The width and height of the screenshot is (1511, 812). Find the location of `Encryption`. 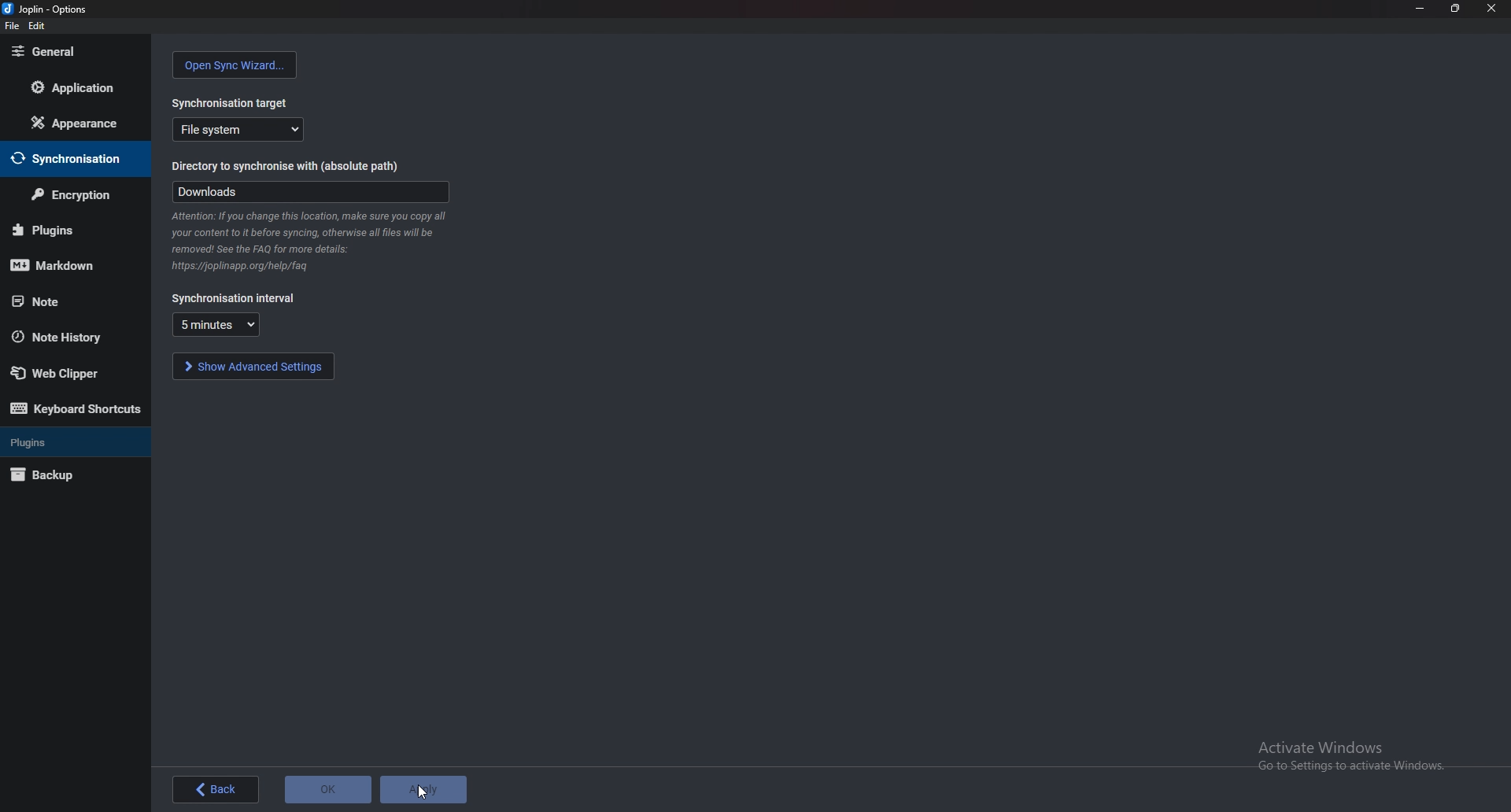

Encryption is located at coordinates (71, 196).